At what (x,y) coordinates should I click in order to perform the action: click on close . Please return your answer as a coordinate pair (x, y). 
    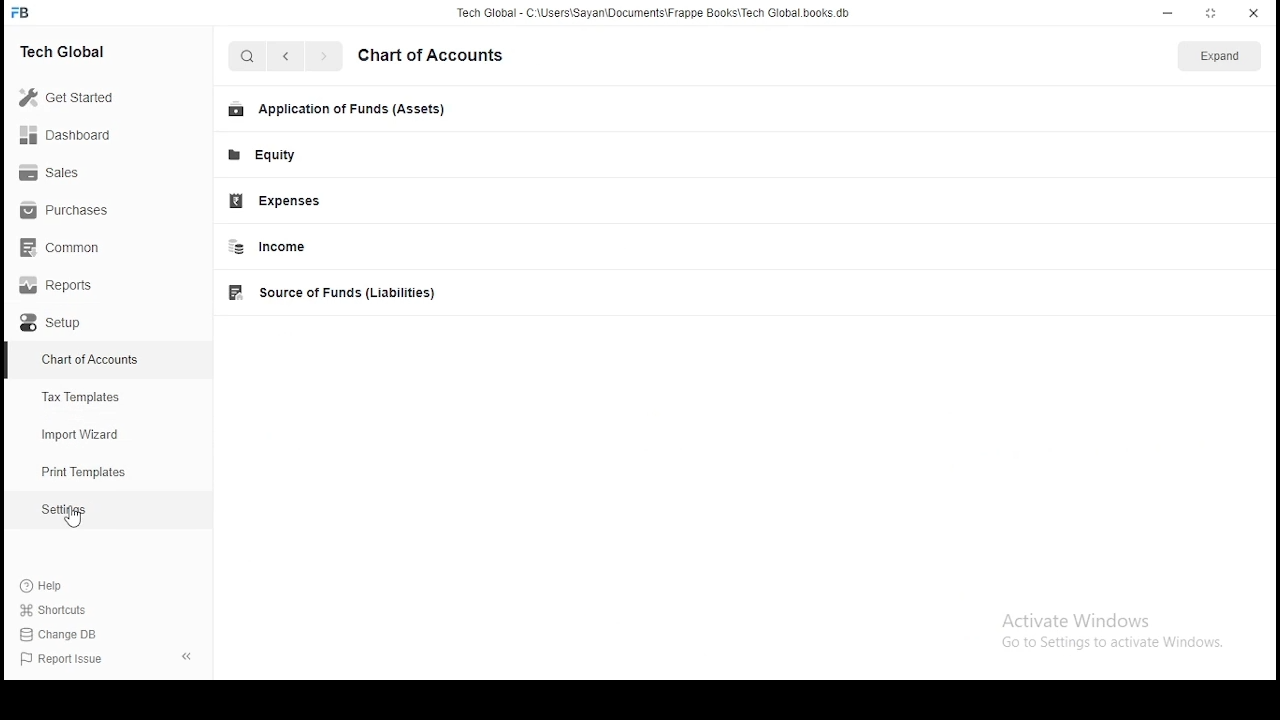
    Looking at the image, I should click on (1252, 14).